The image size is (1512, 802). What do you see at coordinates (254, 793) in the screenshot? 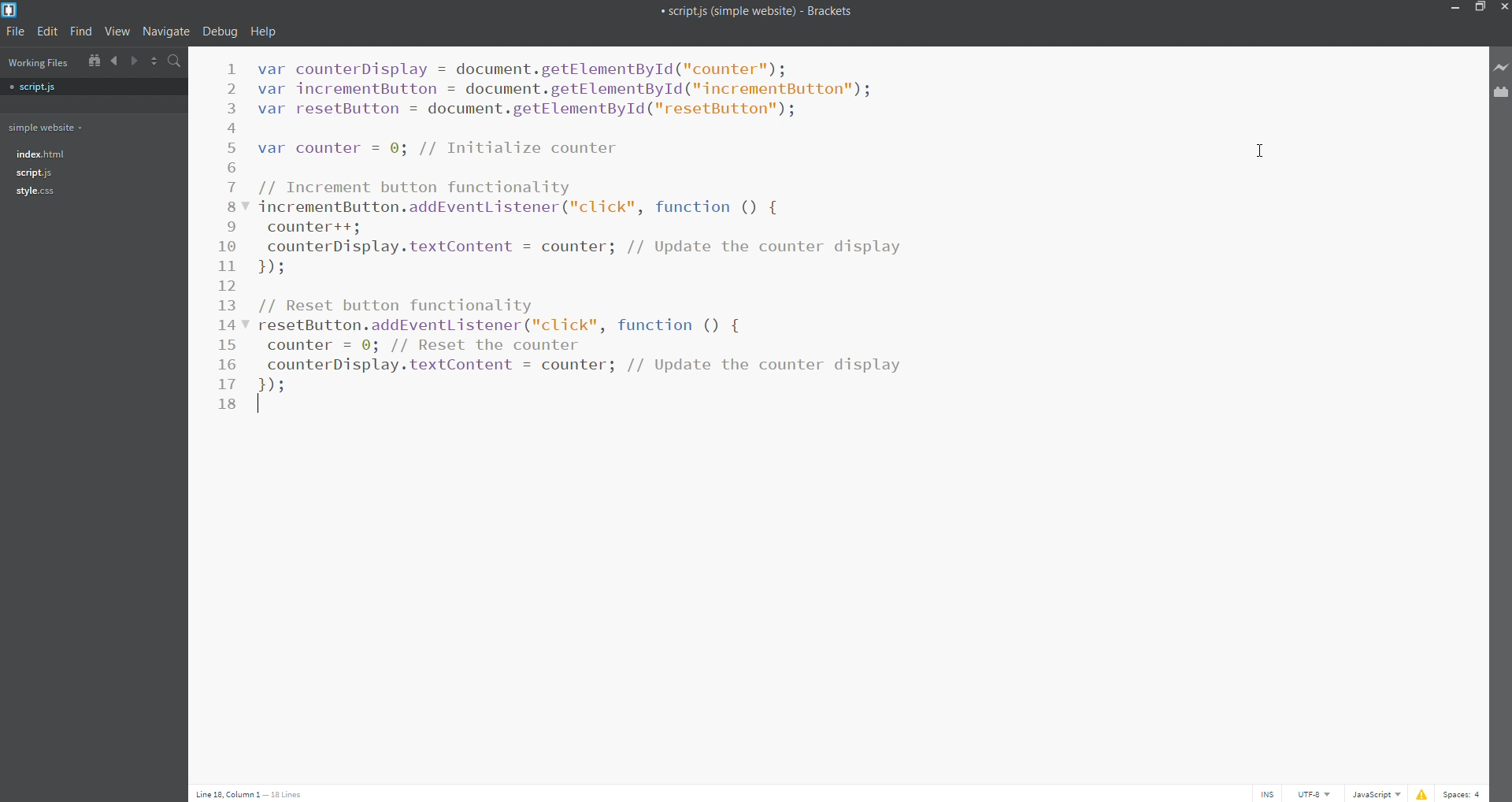
I see `Line 18, Column 1 - 18 Lines` at bounding box center [254, 793].